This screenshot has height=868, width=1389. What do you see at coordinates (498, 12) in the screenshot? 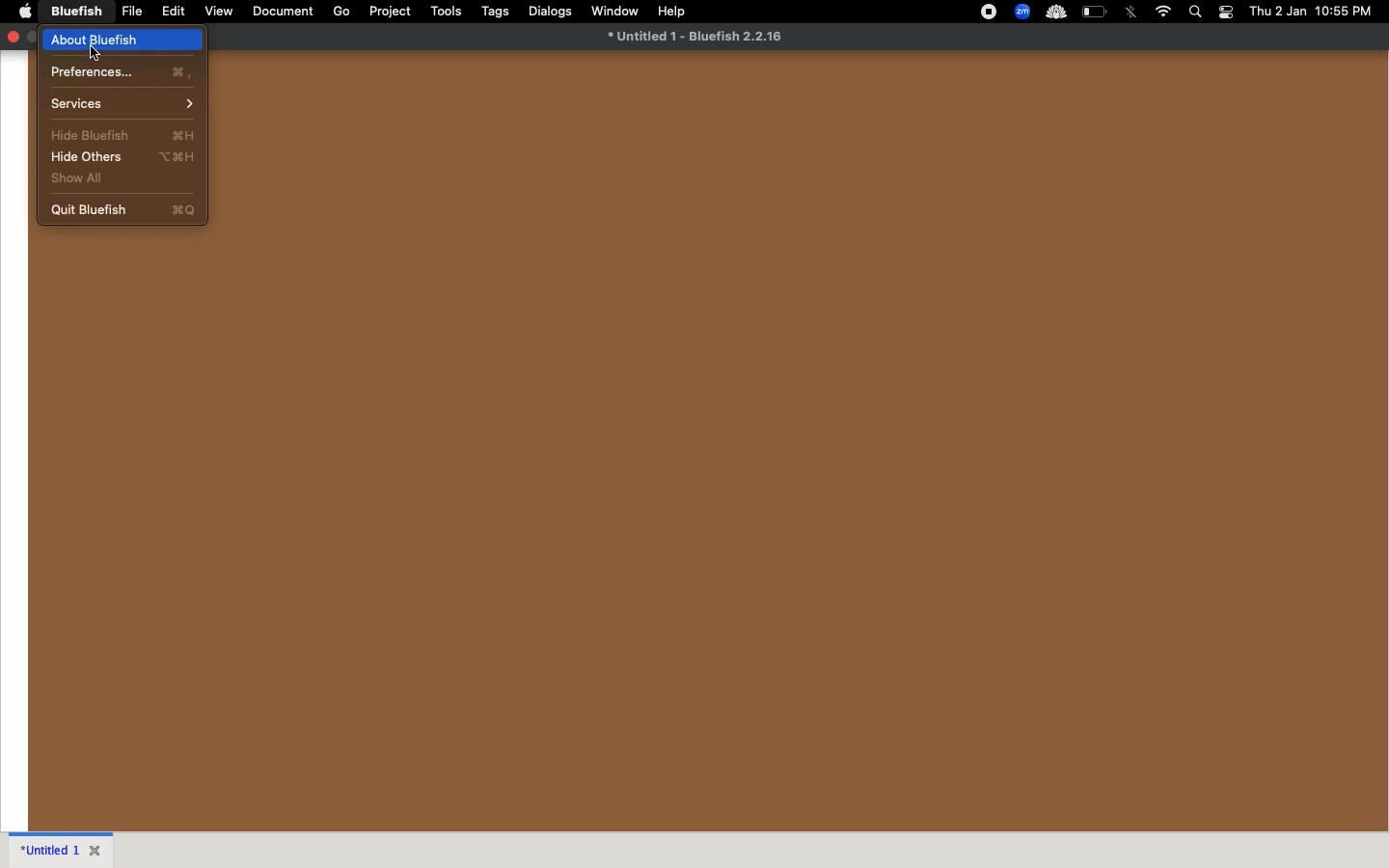
I see `tags` at bounding box center [498, 12].